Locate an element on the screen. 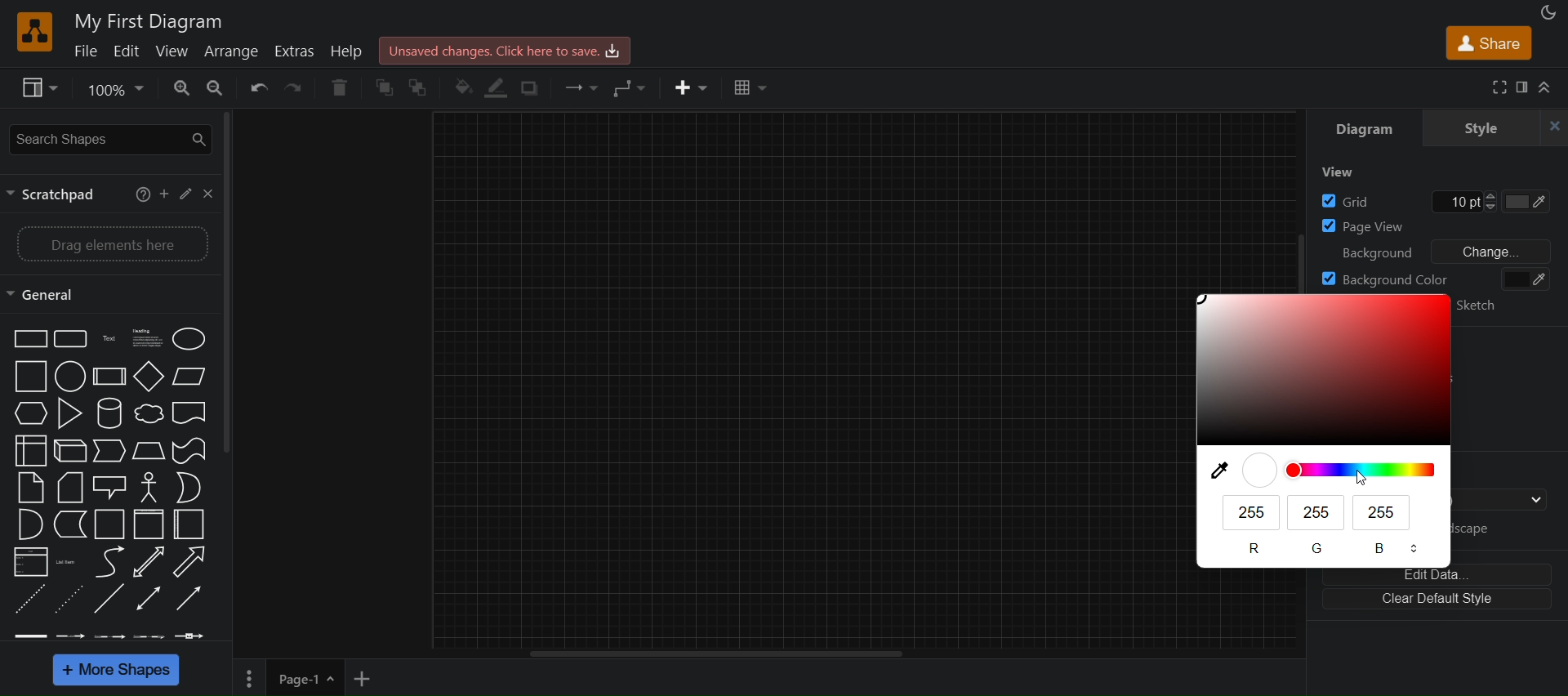 The image size is (1568, 696). vertical scroll bar is located at coordinates (229, 286).